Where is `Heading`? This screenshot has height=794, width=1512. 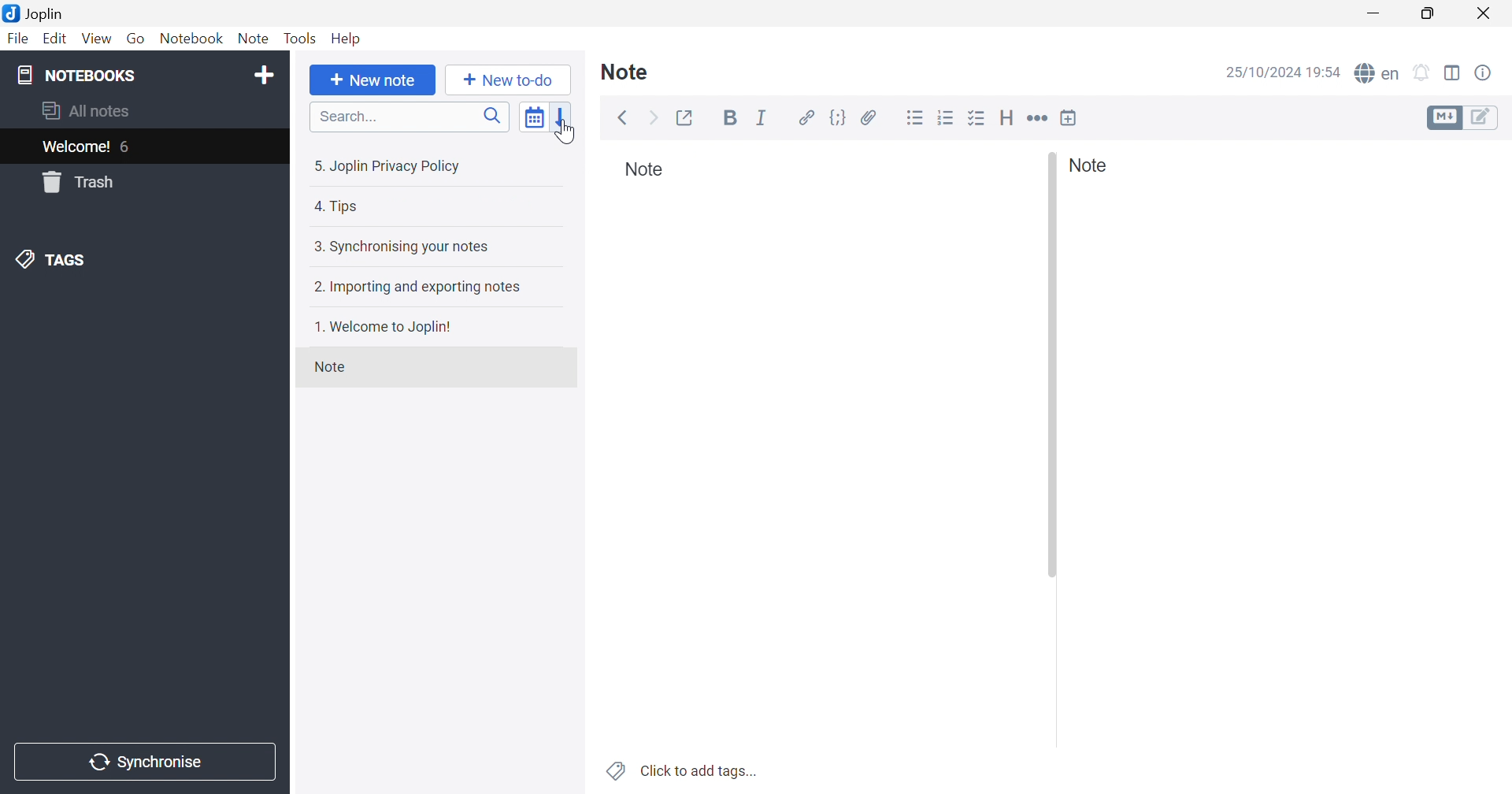 Heading is located at coordinates (1007, 117).